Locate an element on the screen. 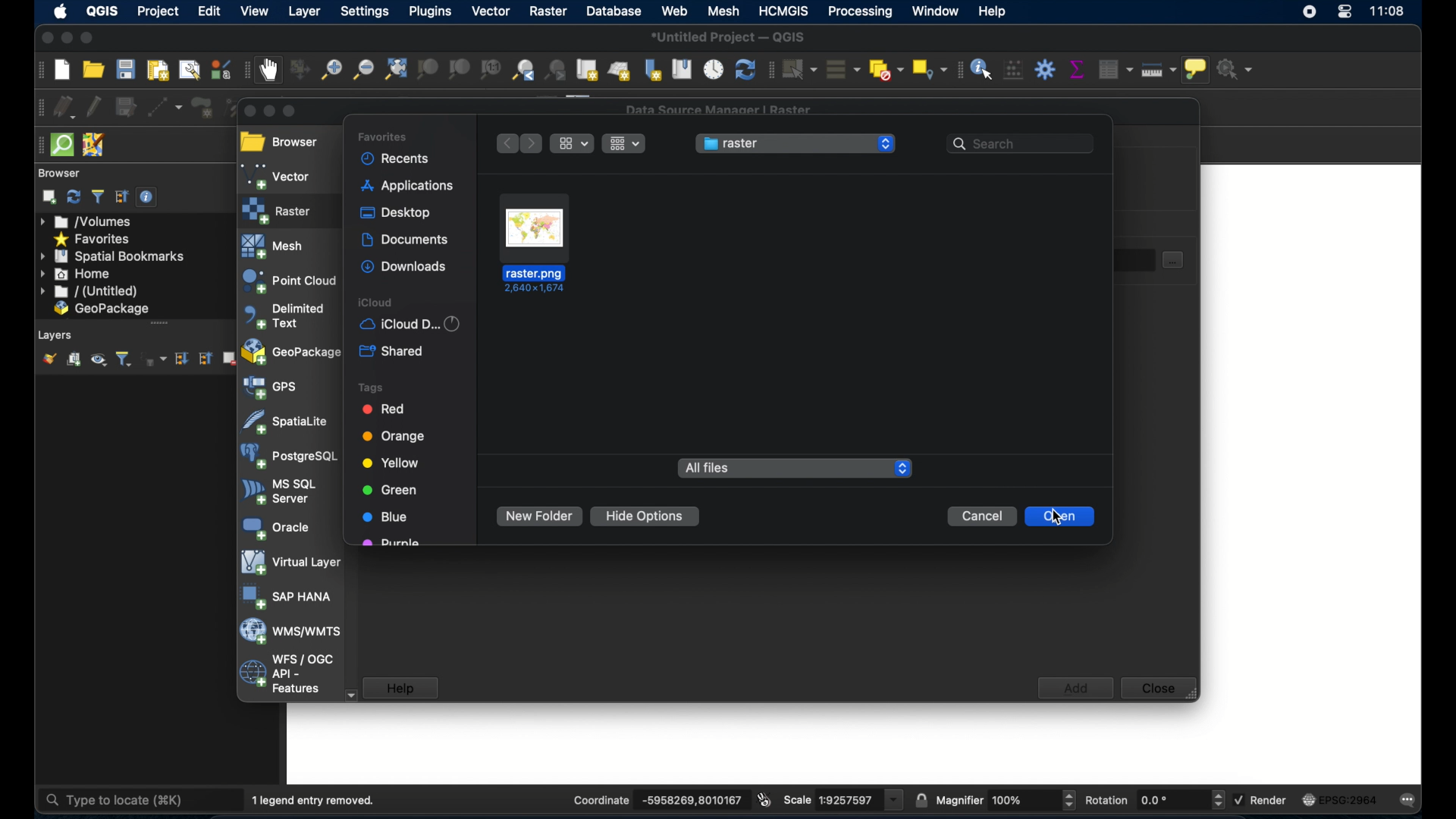  documents is located at coordinates (408, 240).